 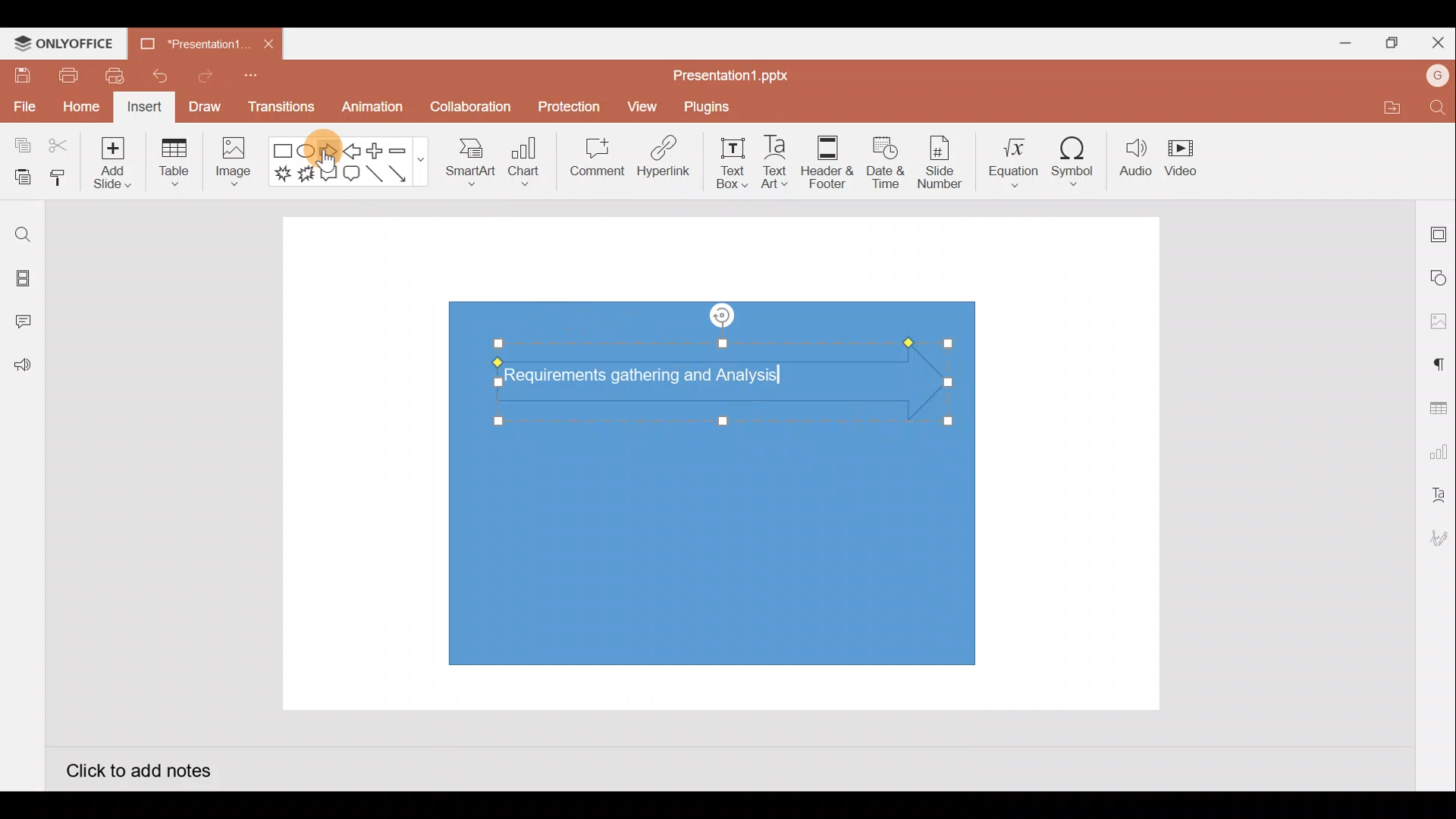 I want to click on Home, so click(x=81, y=108).